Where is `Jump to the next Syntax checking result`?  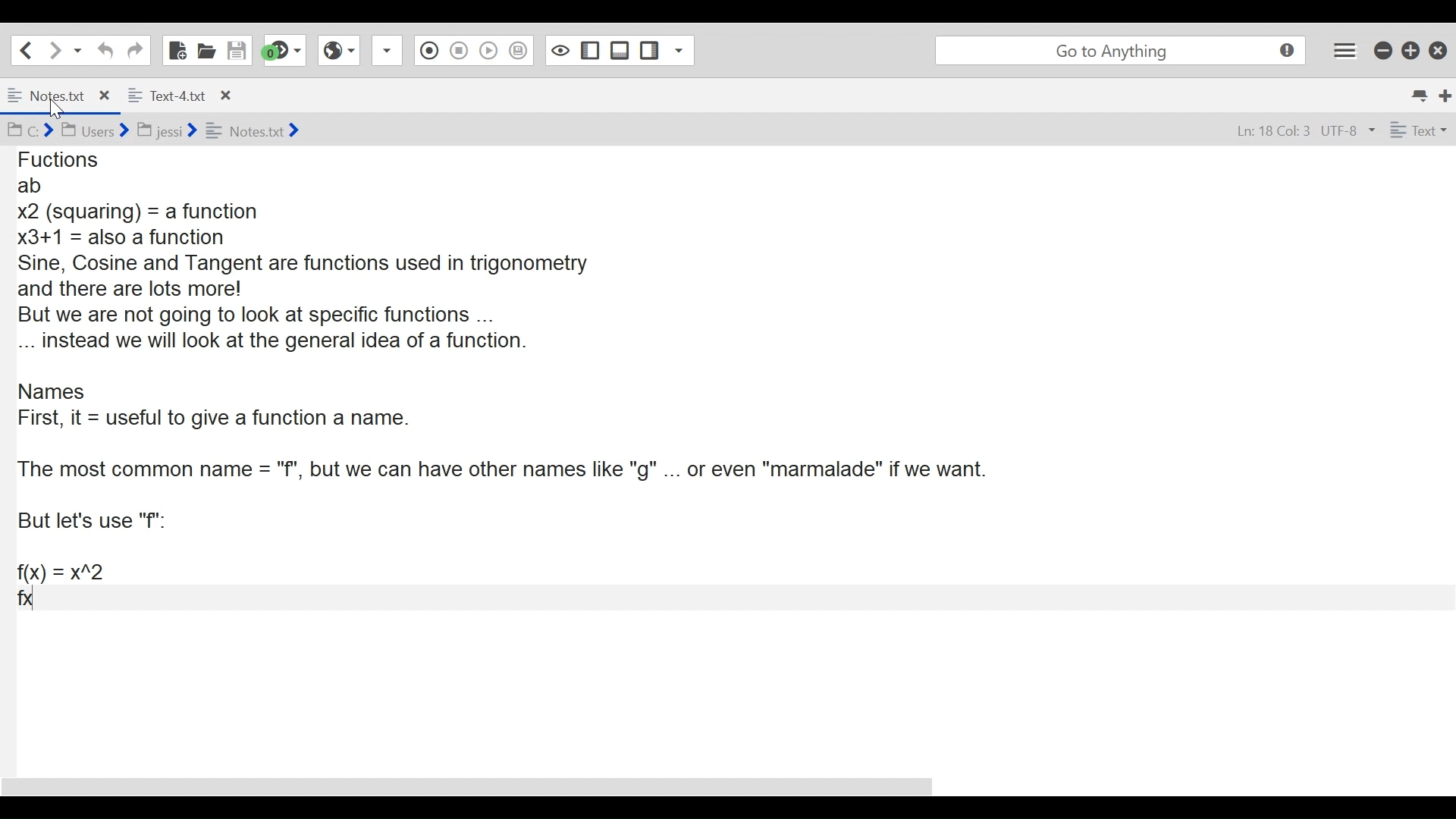
Jump to the next Syntax checking result is located at coordinates (284, 51).